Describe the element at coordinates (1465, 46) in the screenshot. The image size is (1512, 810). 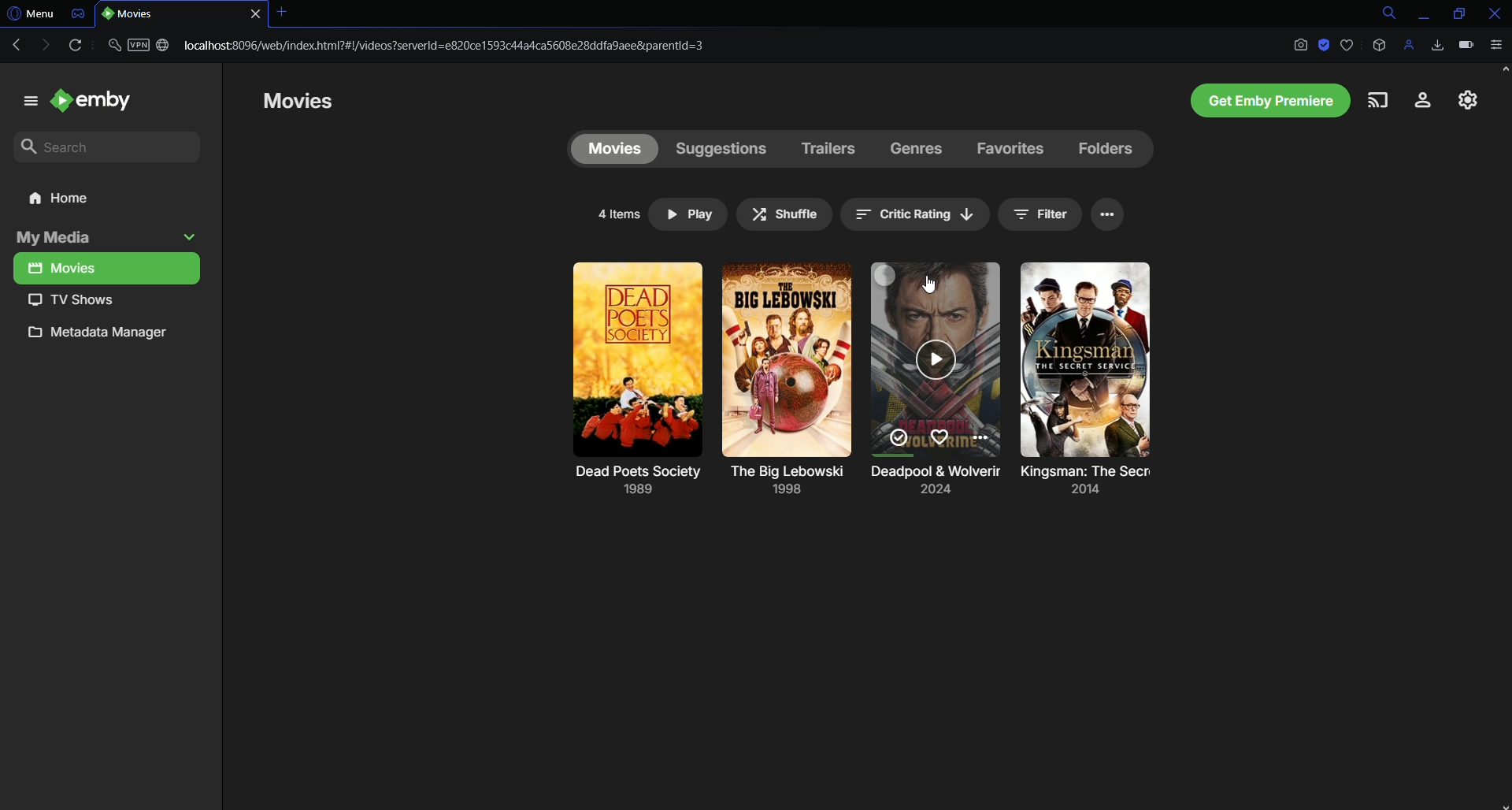
I see `Battery` at that location.